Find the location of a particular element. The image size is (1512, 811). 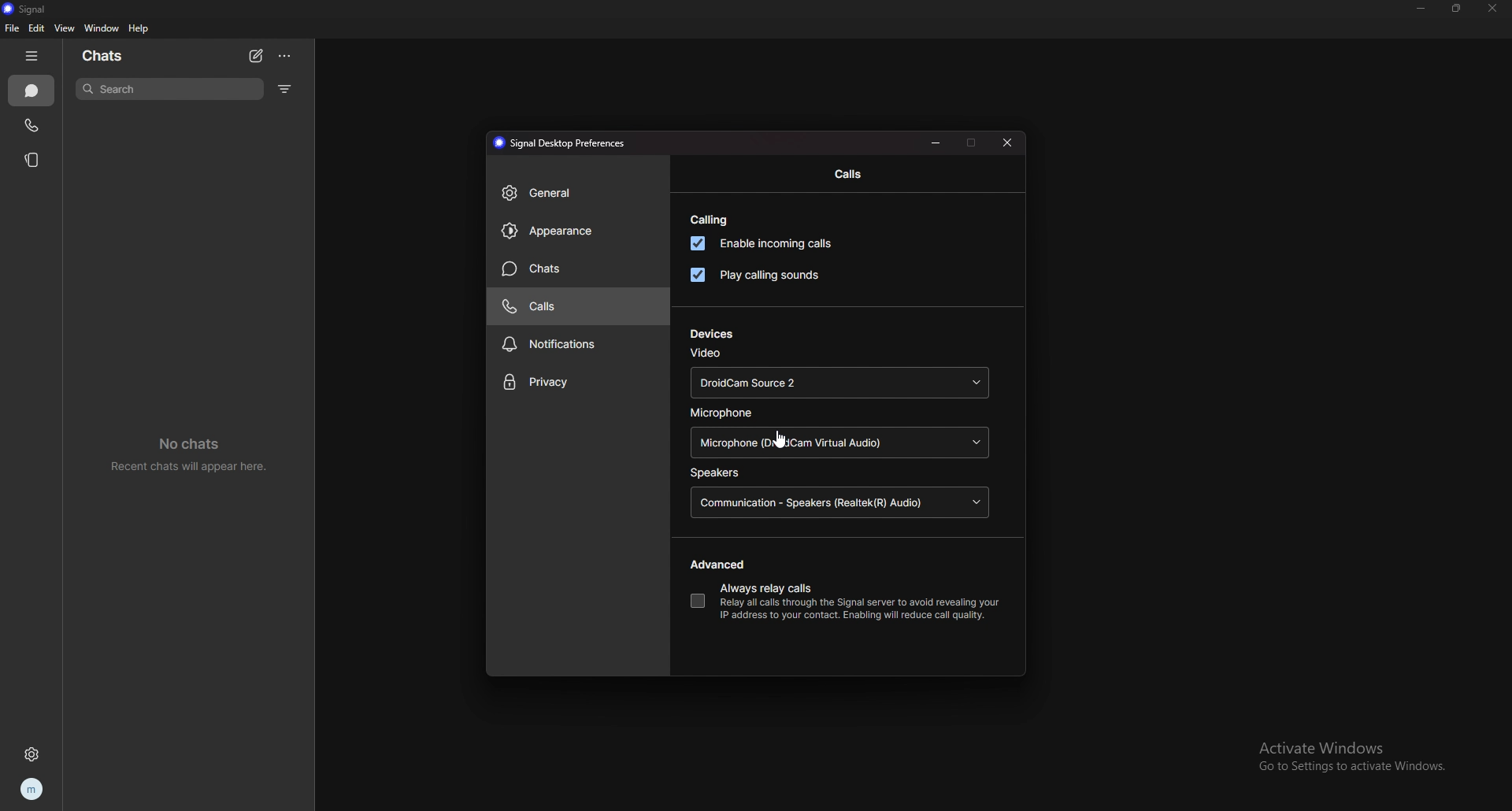

options is located at coordinates (286, 57).